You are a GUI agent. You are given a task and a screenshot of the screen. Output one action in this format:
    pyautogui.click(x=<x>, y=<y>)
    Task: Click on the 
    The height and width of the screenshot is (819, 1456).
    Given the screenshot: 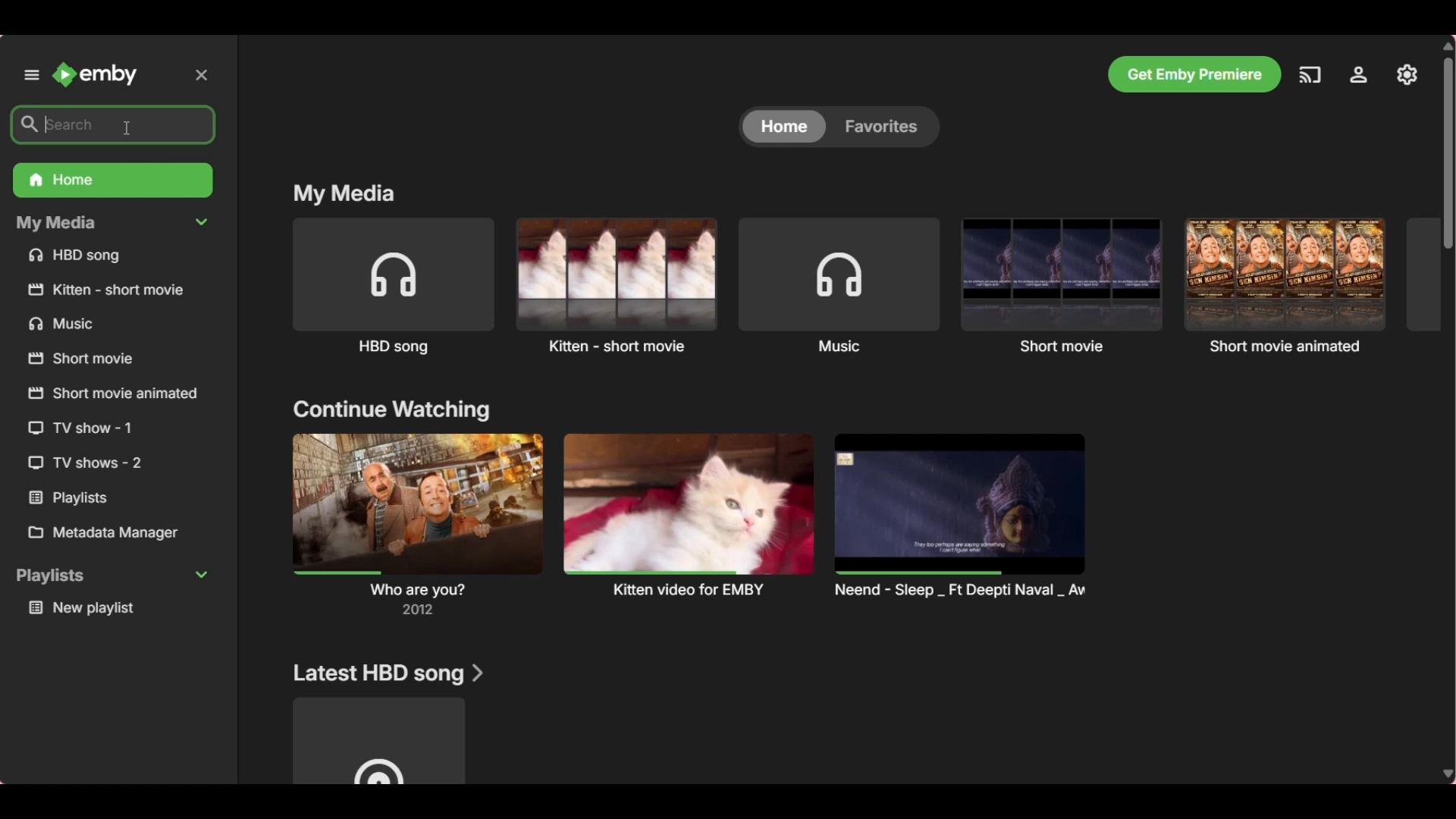 What is the action you would take?
    pyautogui.click(x=112, y=394)
    